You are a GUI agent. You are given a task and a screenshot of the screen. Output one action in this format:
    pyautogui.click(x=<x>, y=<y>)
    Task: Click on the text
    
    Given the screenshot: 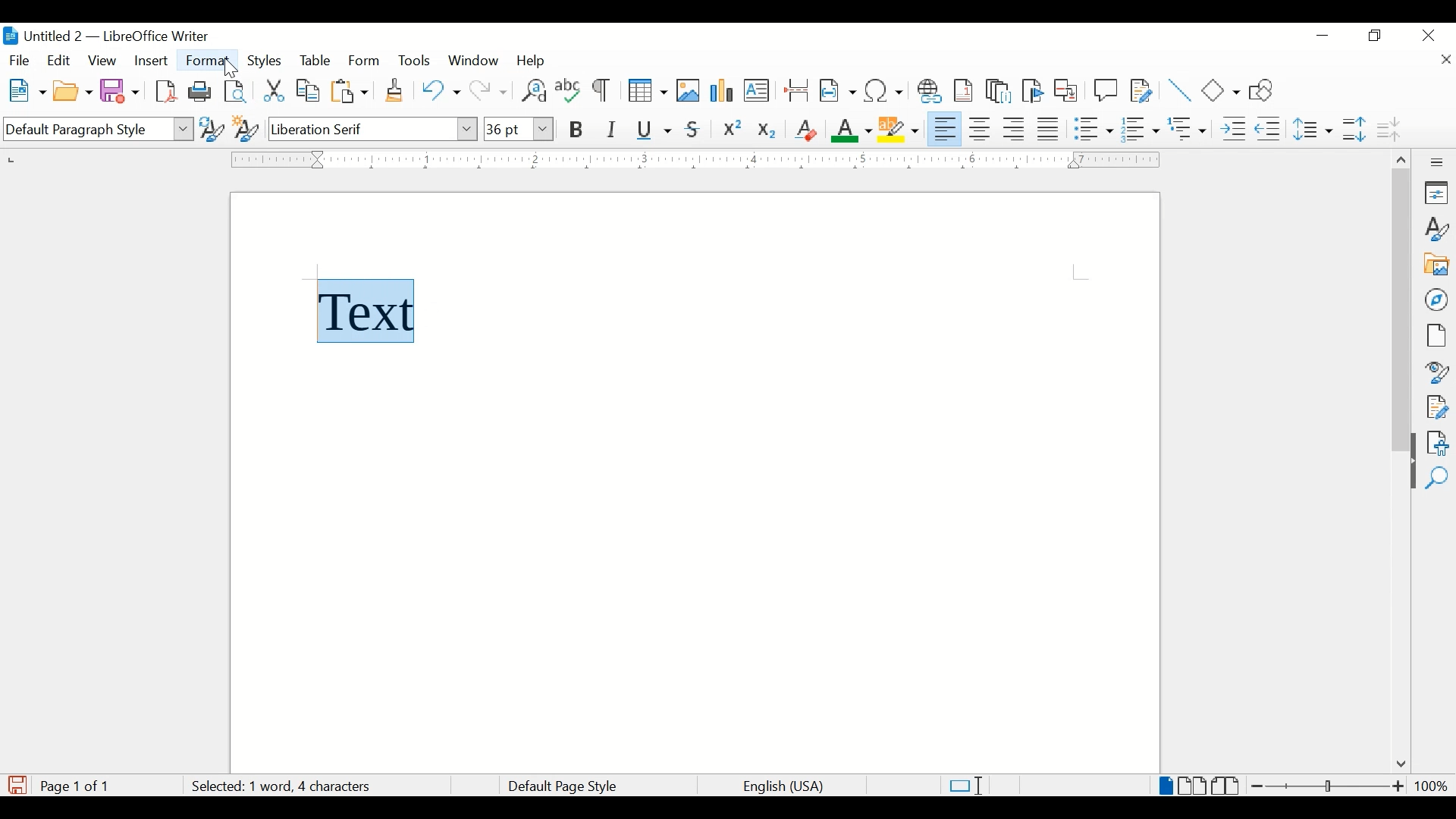 What is the action you would take?
    pyautogui.click(x=380, y=309)
    